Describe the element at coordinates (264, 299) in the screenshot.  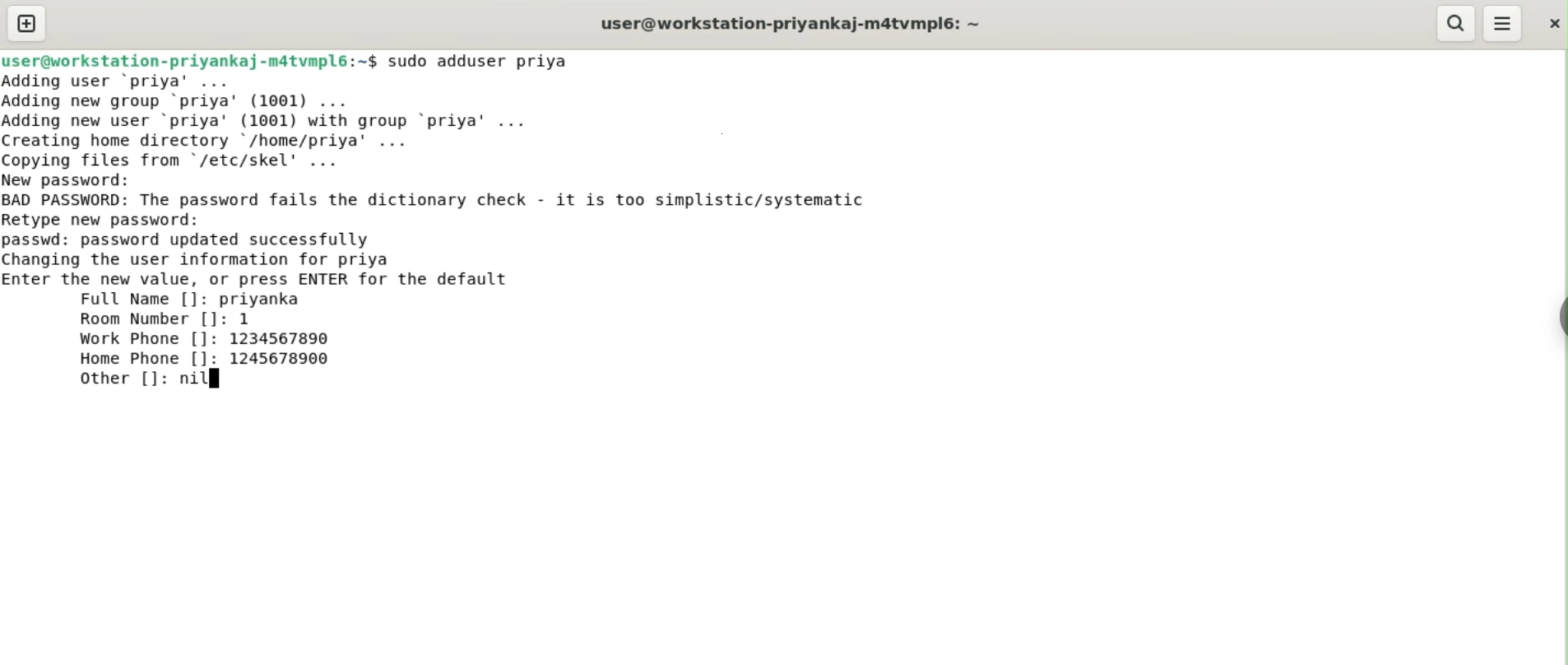
I see `priyanka` at that location.